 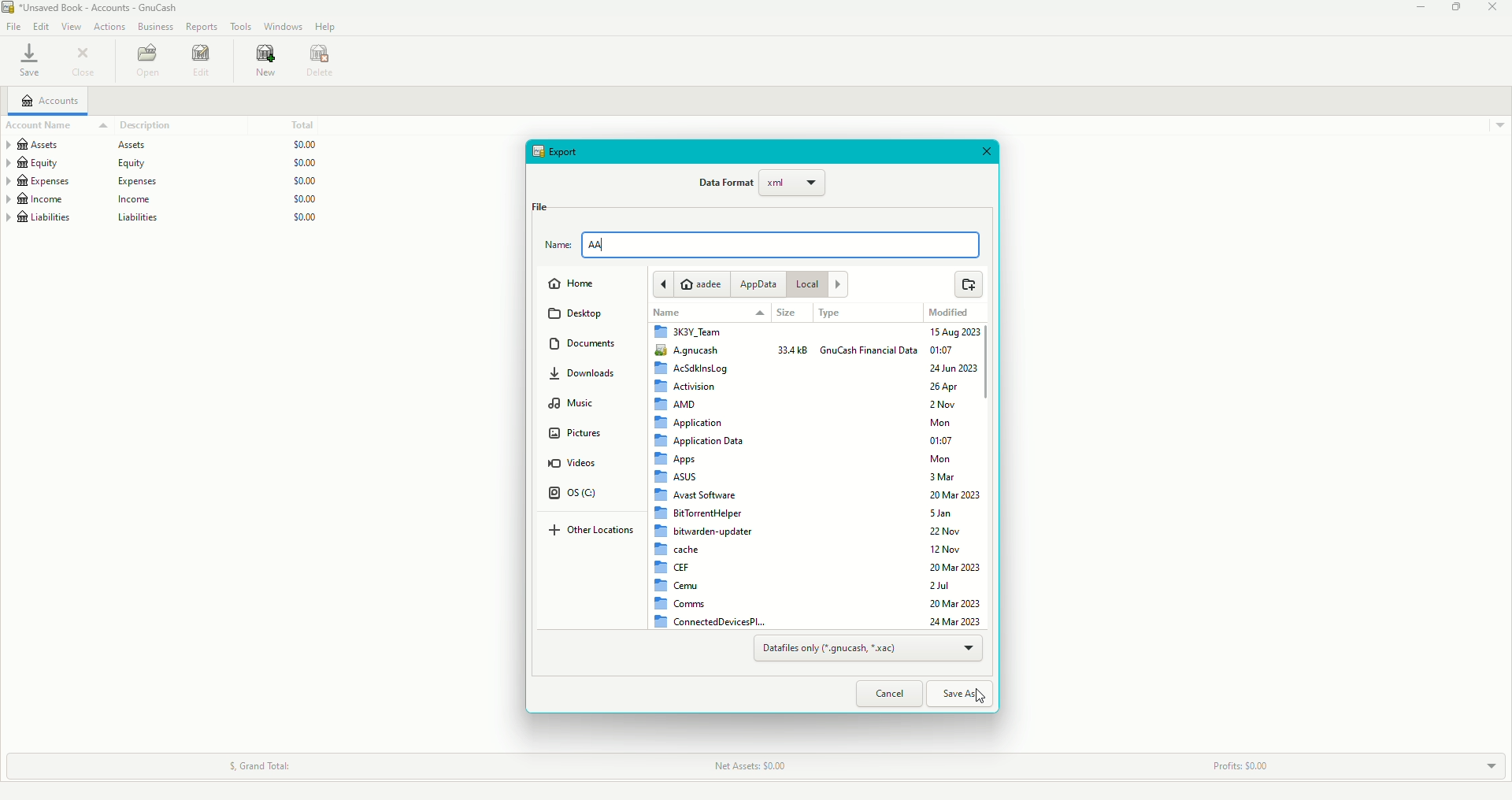 I want to click on Cancel, so click(x=888, y=694).